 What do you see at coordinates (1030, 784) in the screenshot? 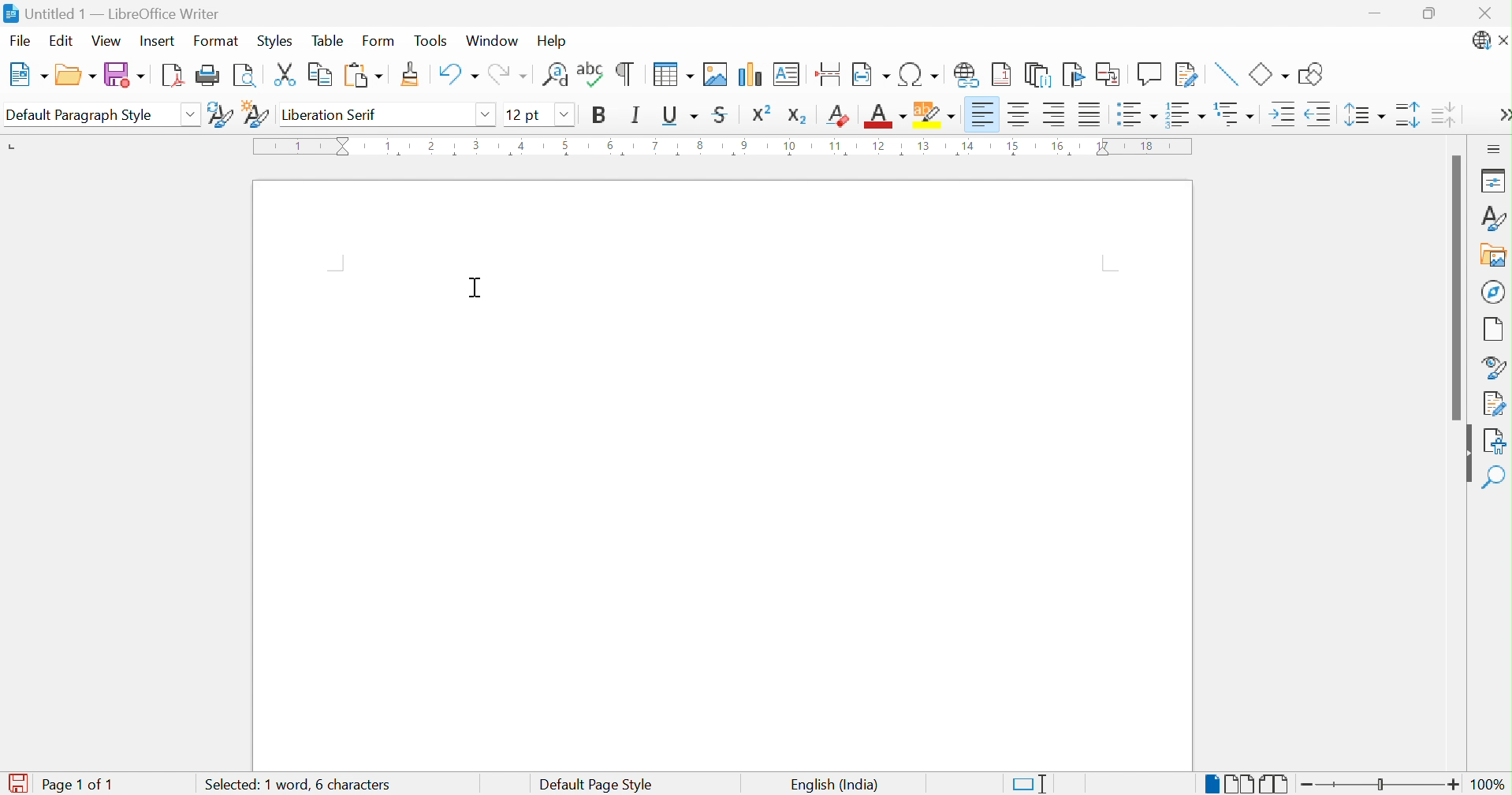
I see `Standard selection. Click to change the selection mode.` at bounding box center [1030, 784].